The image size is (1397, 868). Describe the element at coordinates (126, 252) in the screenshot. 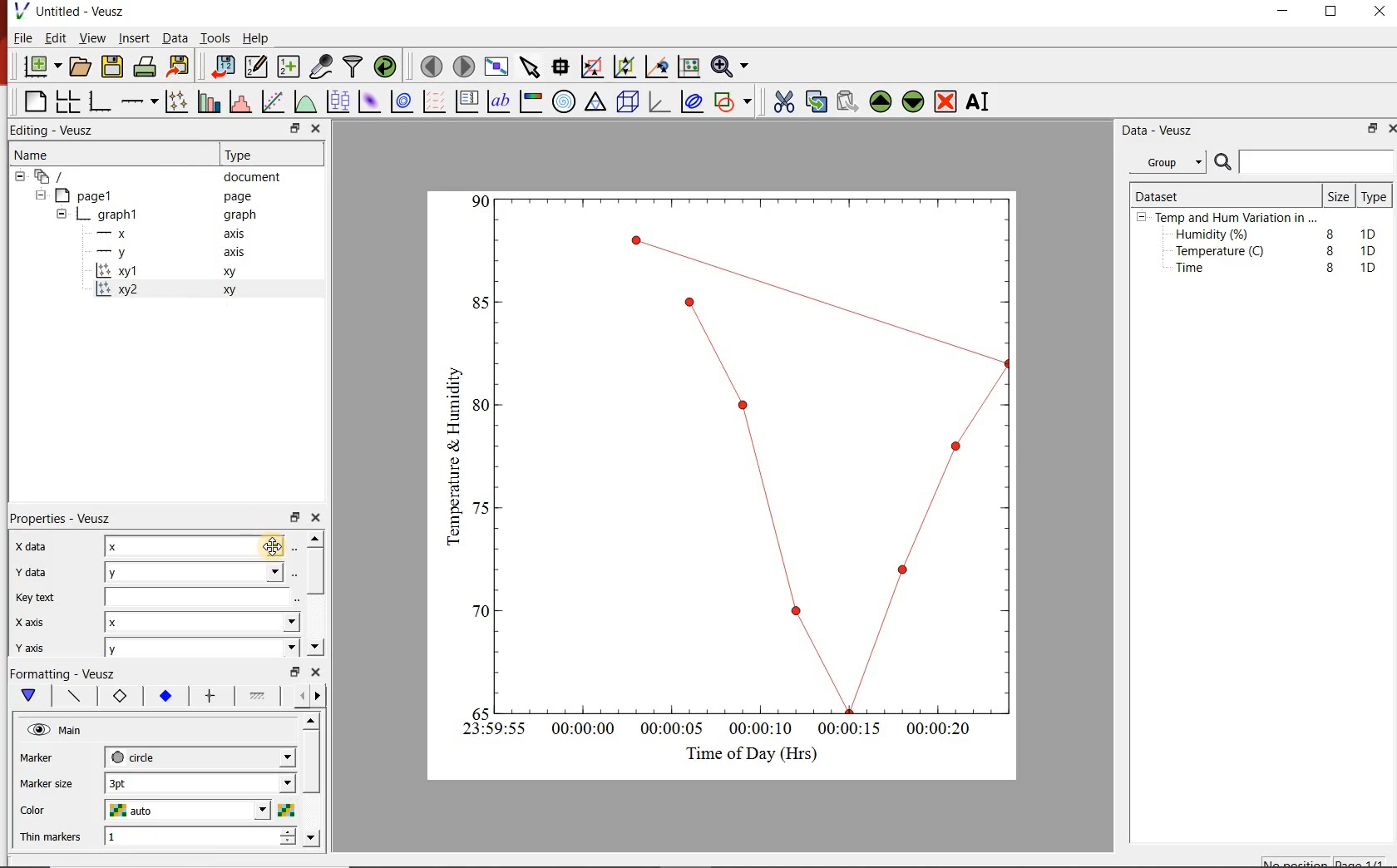

I see `y` at that location.